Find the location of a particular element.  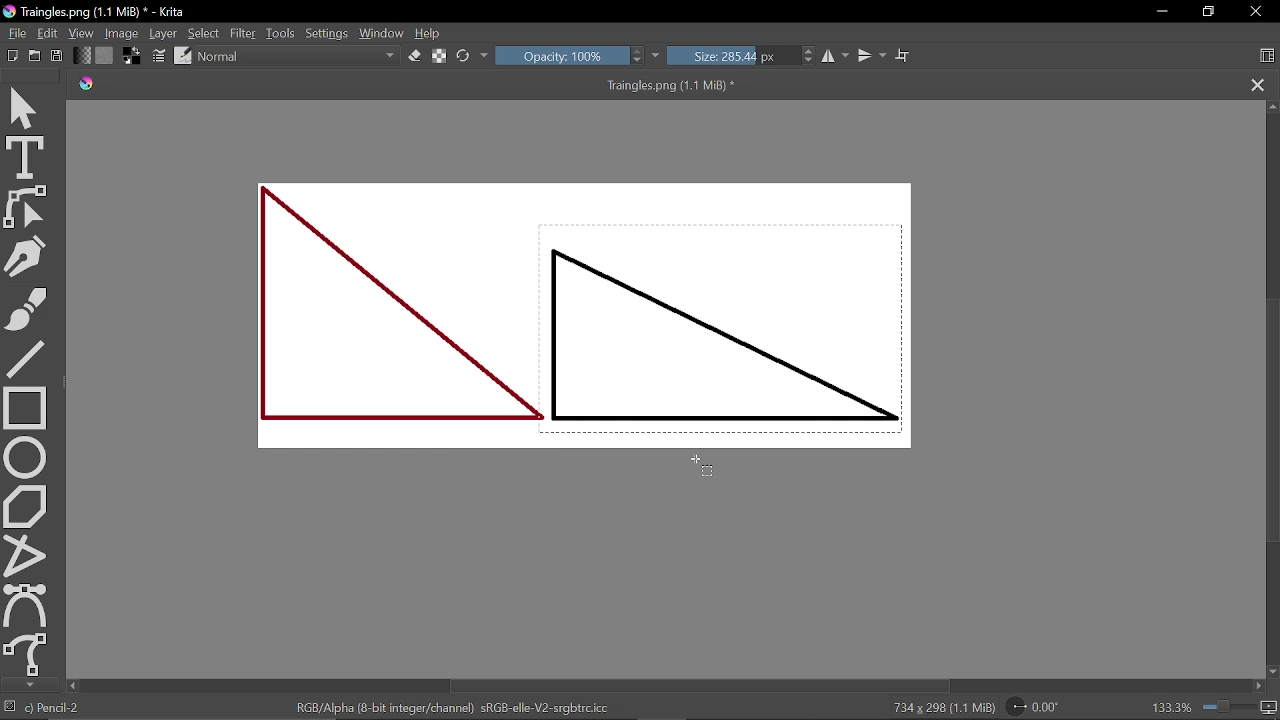

Minimize is located at coordinates (1157, 13).